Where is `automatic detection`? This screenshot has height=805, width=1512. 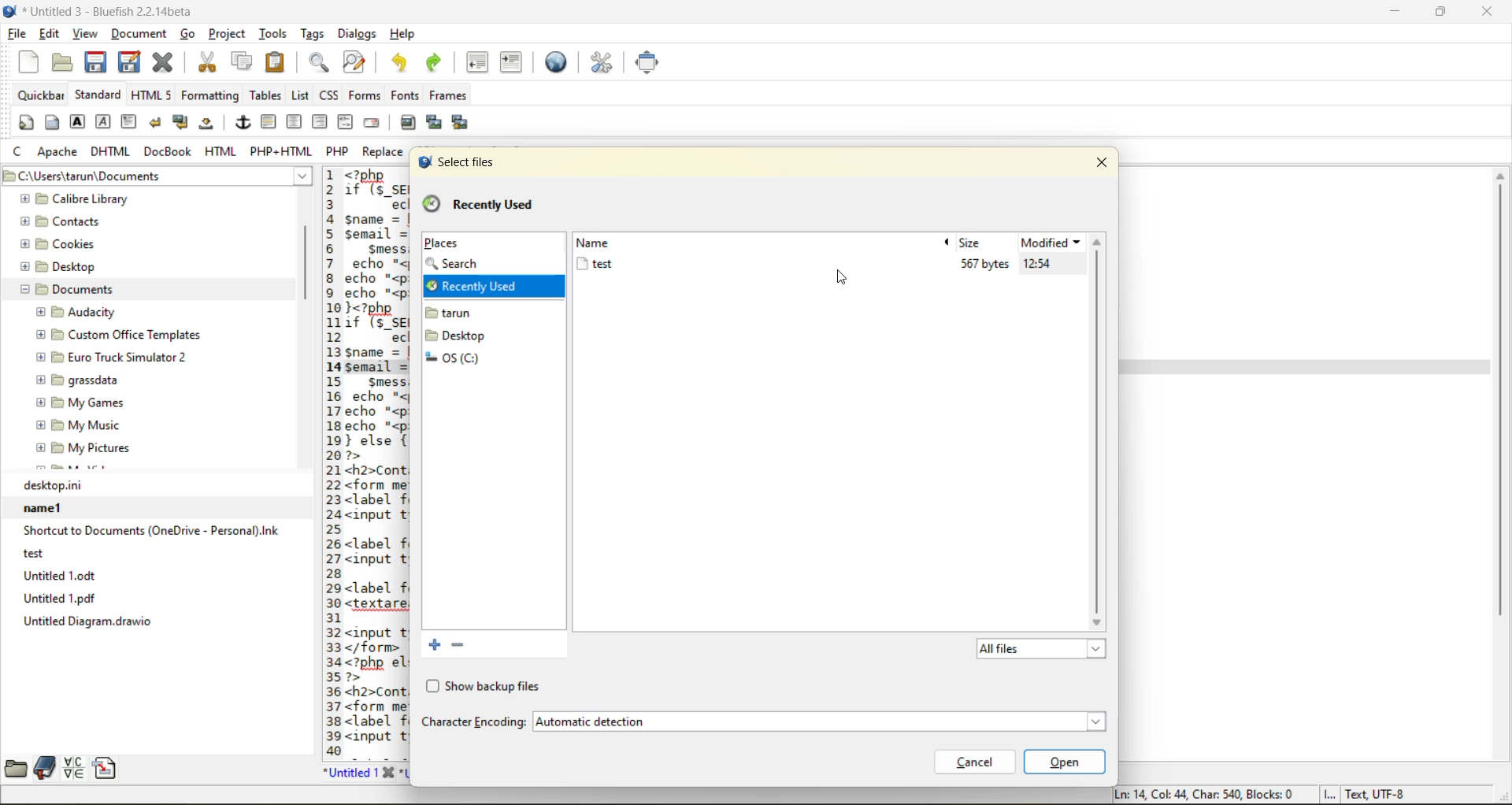
automatic detection is located at coordinates (815, 722).